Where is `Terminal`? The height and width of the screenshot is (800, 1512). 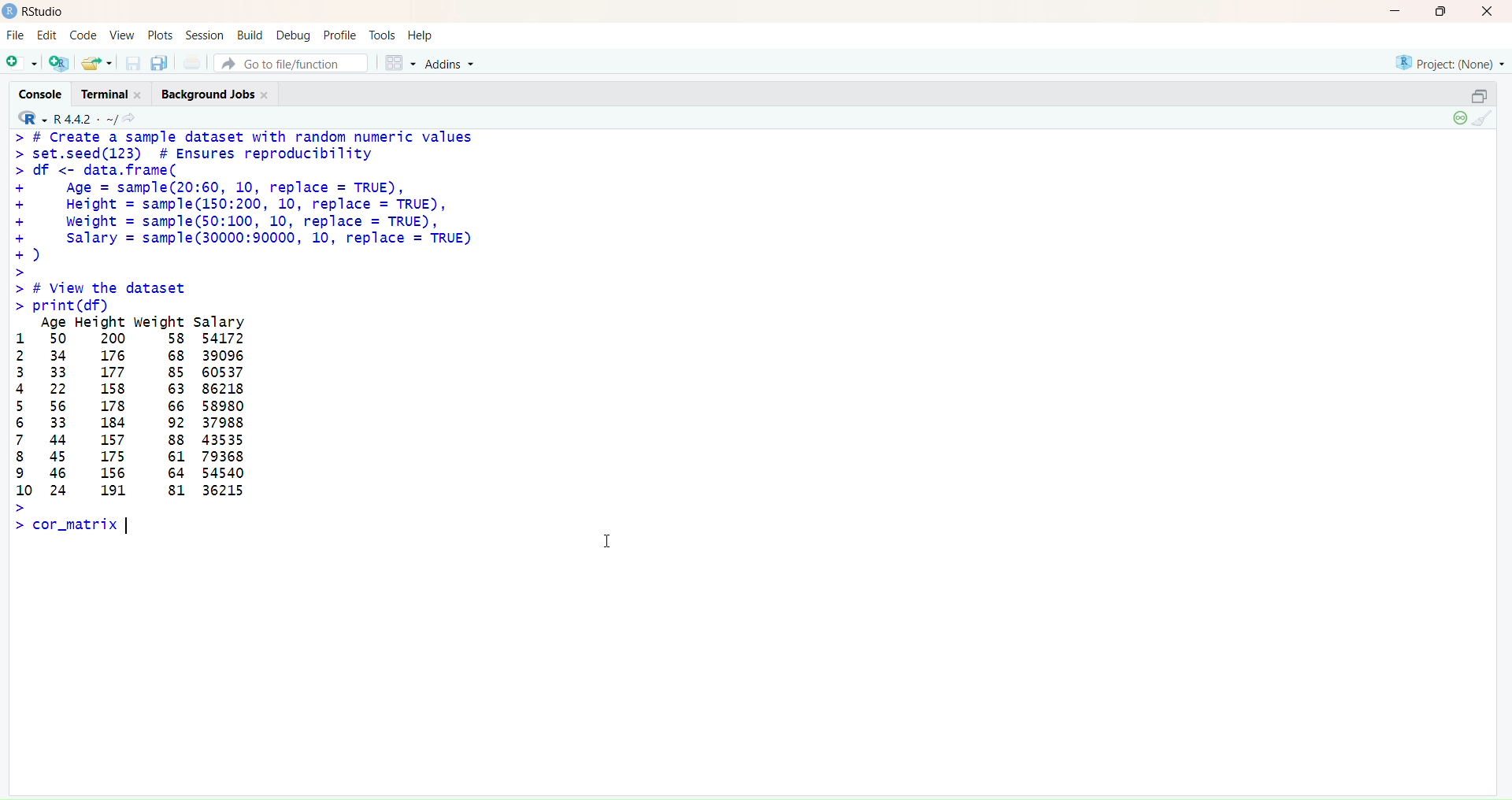
Terminal is located at coordinates (117, 94).